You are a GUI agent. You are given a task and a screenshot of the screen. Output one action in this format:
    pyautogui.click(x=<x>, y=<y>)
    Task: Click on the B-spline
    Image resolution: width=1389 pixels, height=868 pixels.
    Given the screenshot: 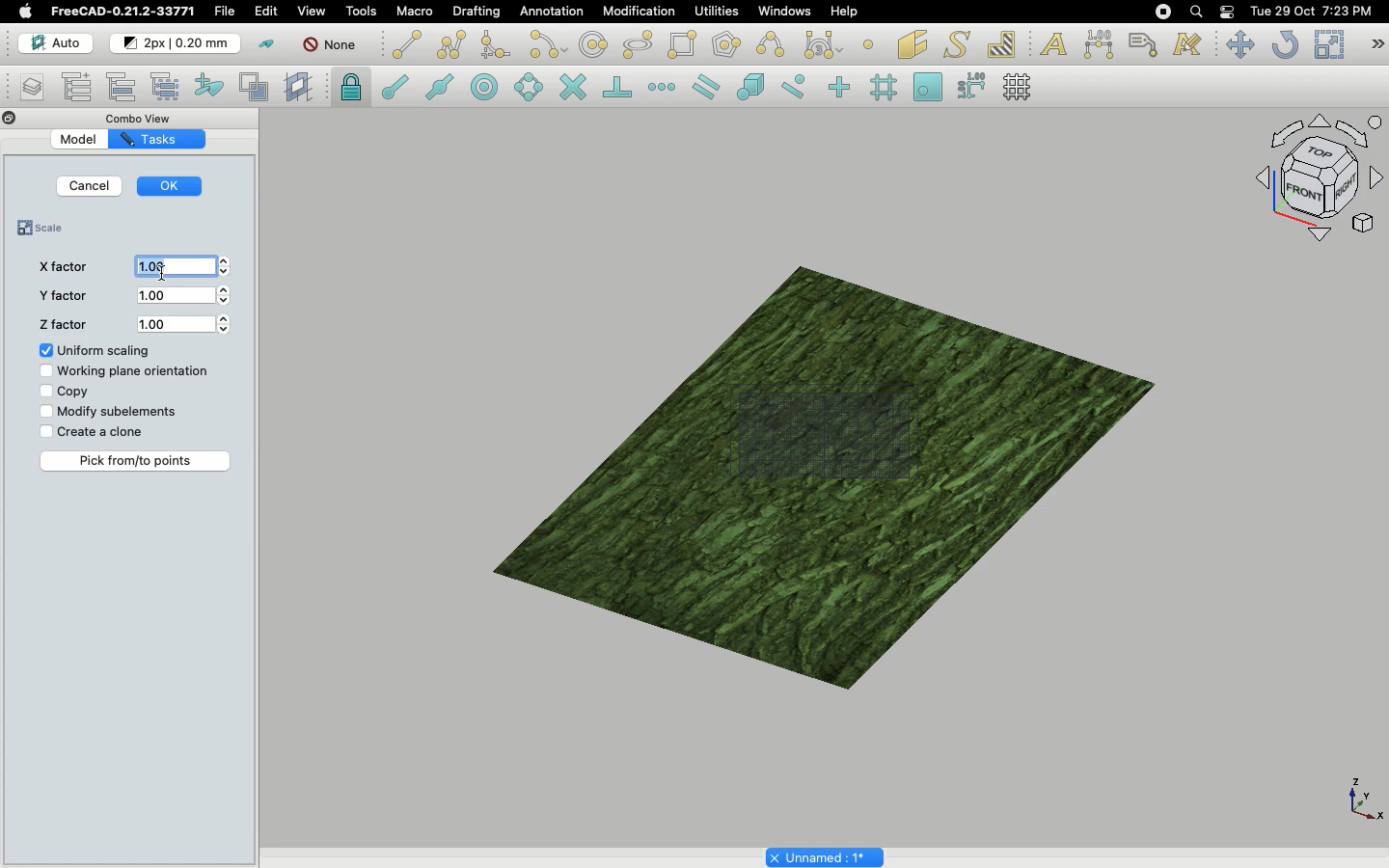 What is the action you would take?
    pyautogui.click(x=770, y=44)
    